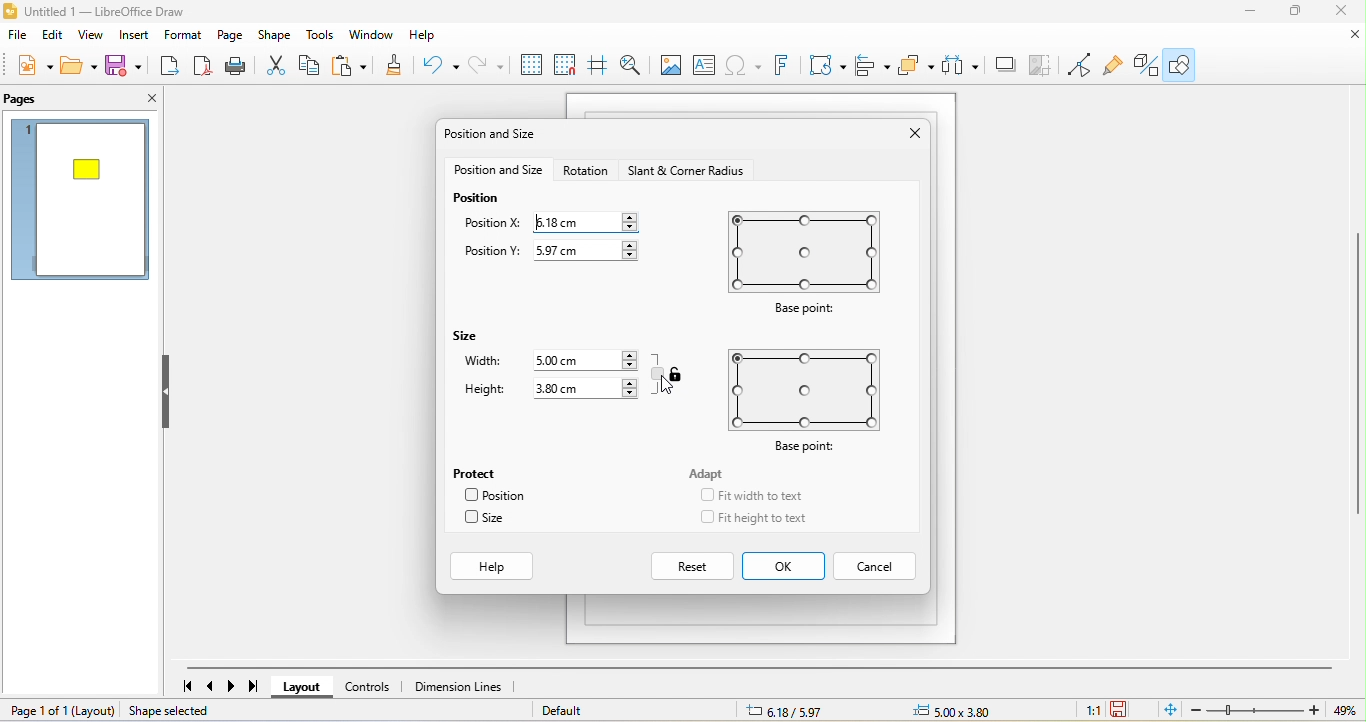 The image size is (1366, 722). I want to click on layout, so click(305, 689).